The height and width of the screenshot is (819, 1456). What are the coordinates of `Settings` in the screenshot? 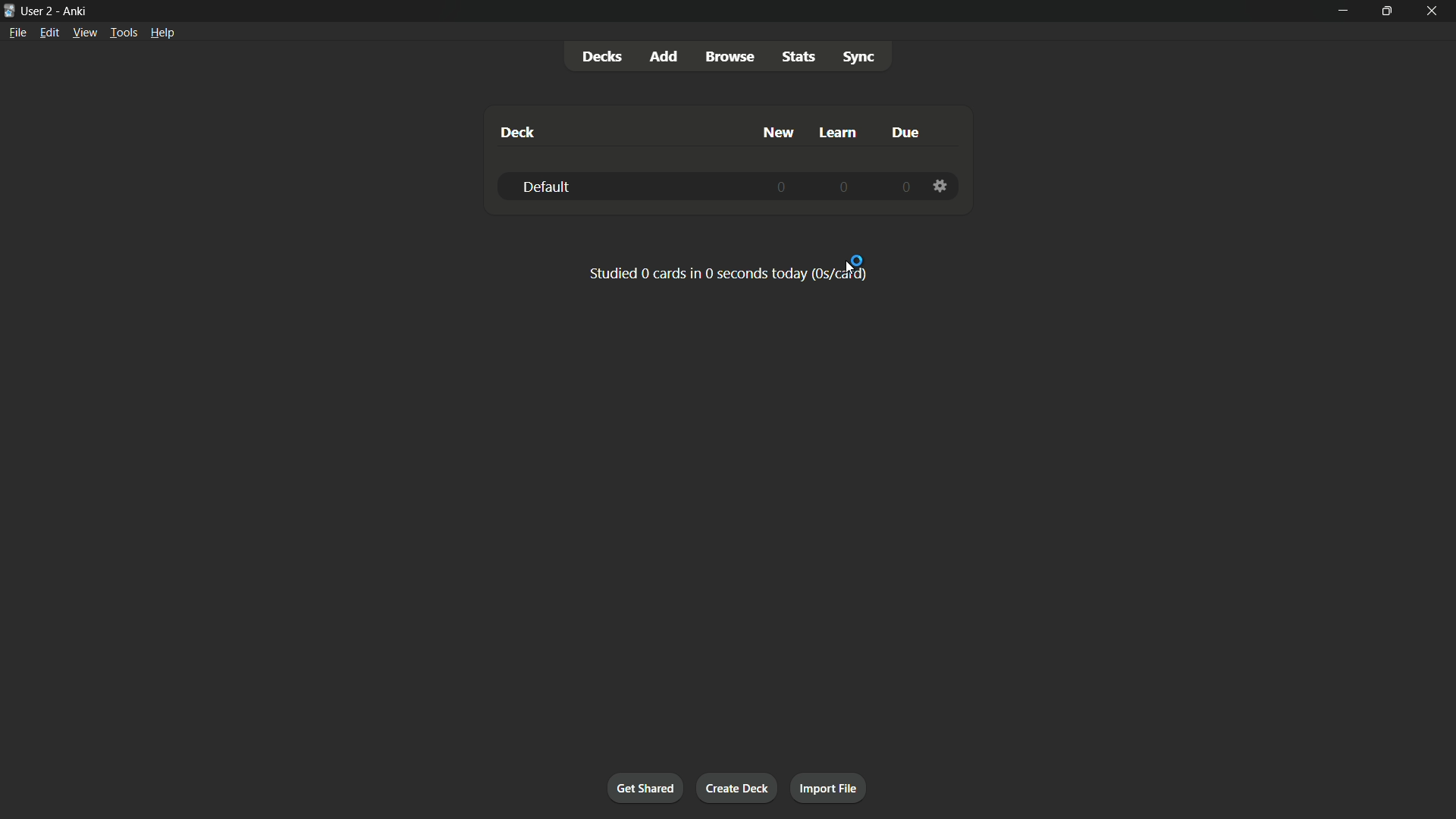 It's located at (943, 186).